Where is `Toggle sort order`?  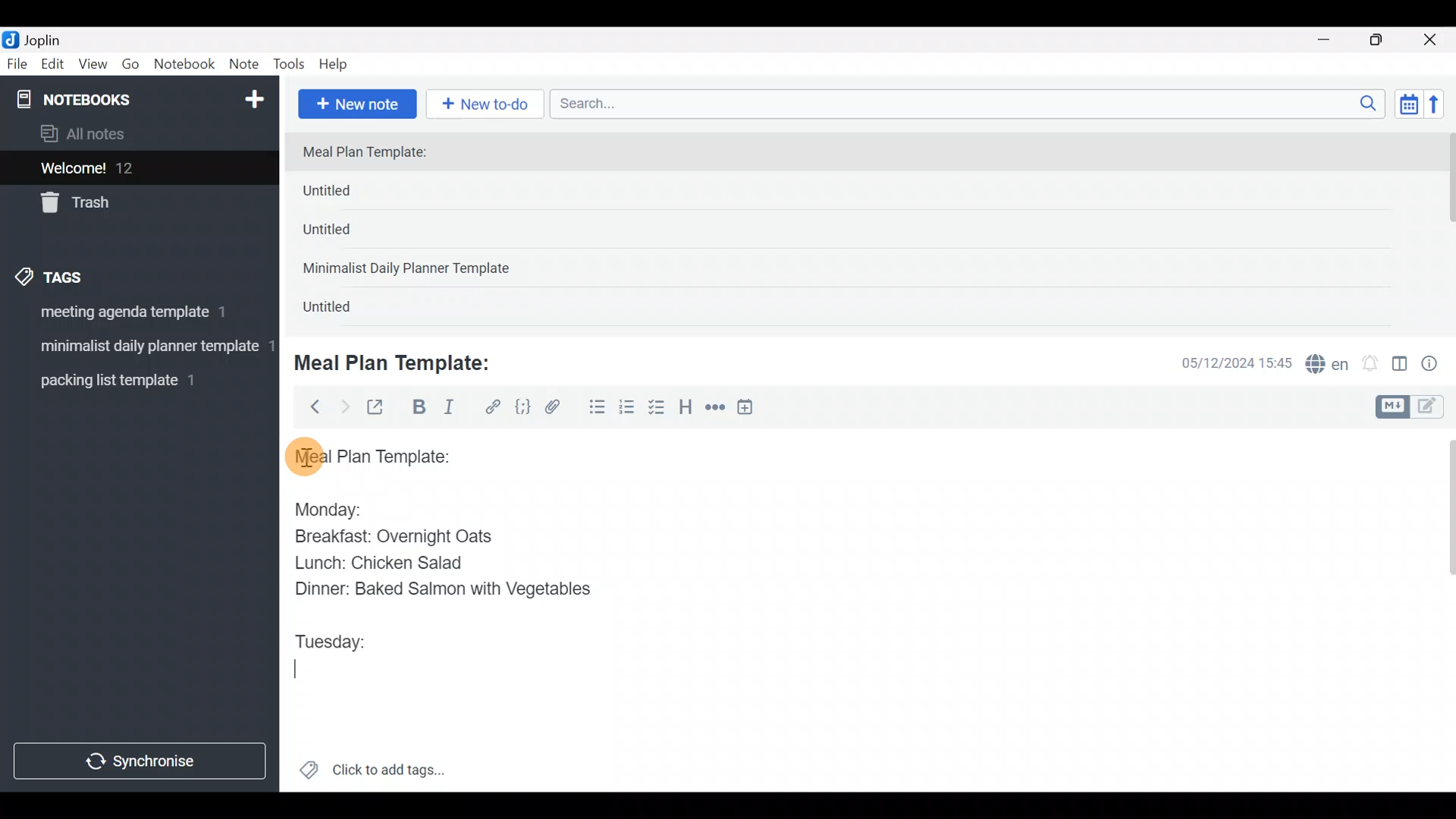 Toggle sort order is located at coordinates (1408, 105).